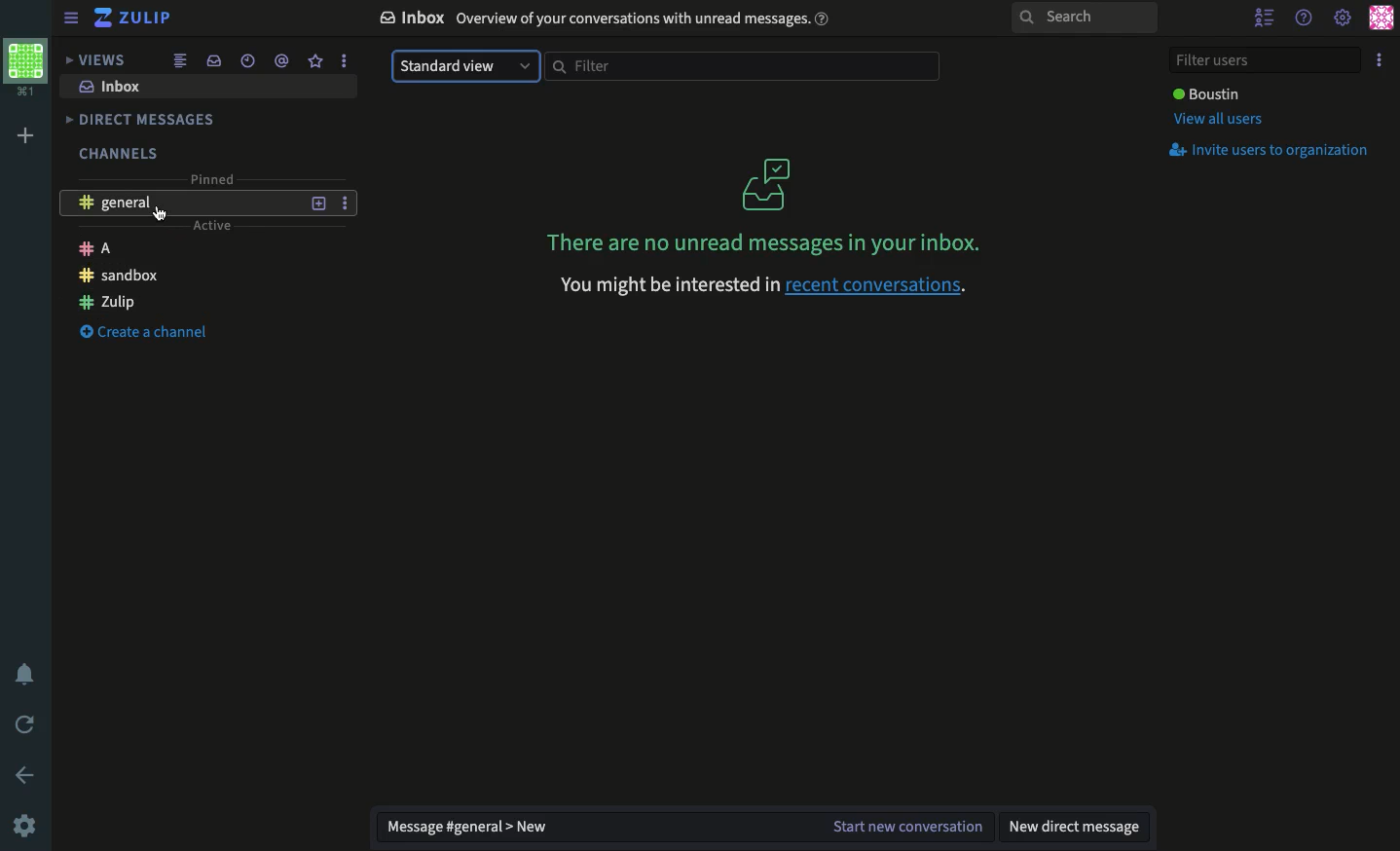  What do you see at coordinates (1079, 828) in the screenshot?
I see `New DM` at bounding box center [1079, 828].